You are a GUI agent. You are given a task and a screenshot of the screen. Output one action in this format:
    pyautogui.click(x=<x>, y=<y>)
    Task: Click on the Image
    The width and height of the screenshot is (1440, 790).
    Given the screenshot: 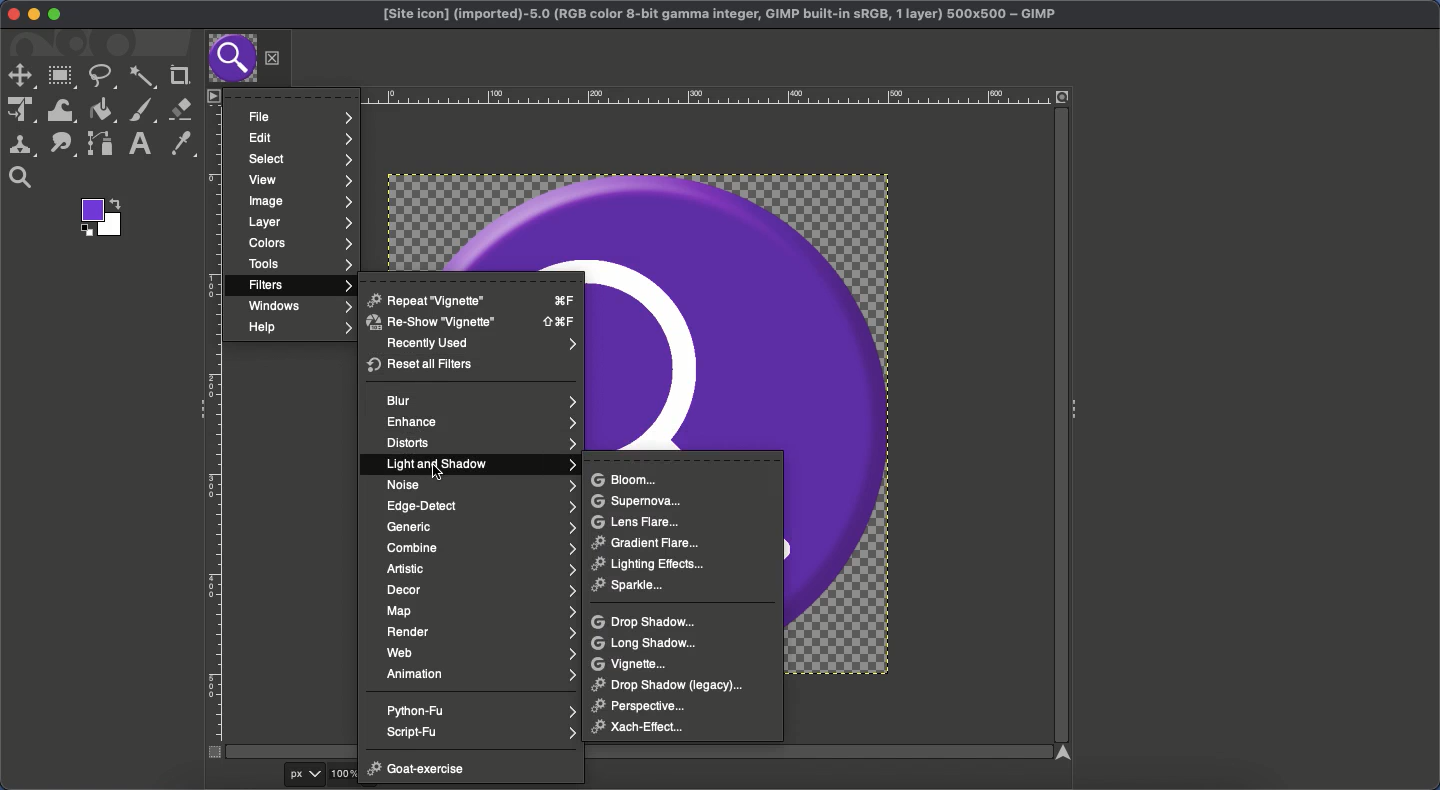 What is the action you would take?
    pyautogui.click(x=859, y=422)
    